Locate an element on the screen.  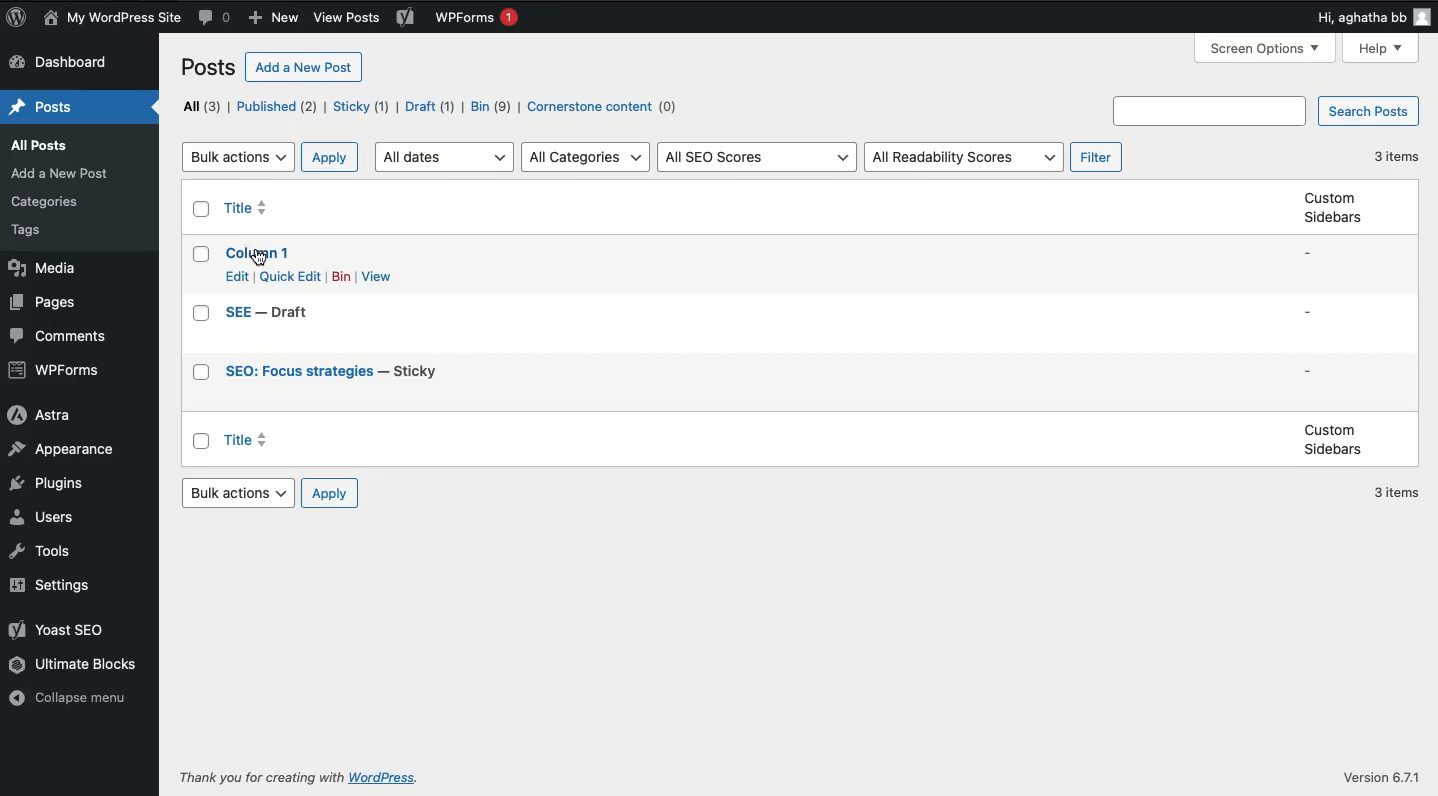
Logo is located at coordinates (20, 18).